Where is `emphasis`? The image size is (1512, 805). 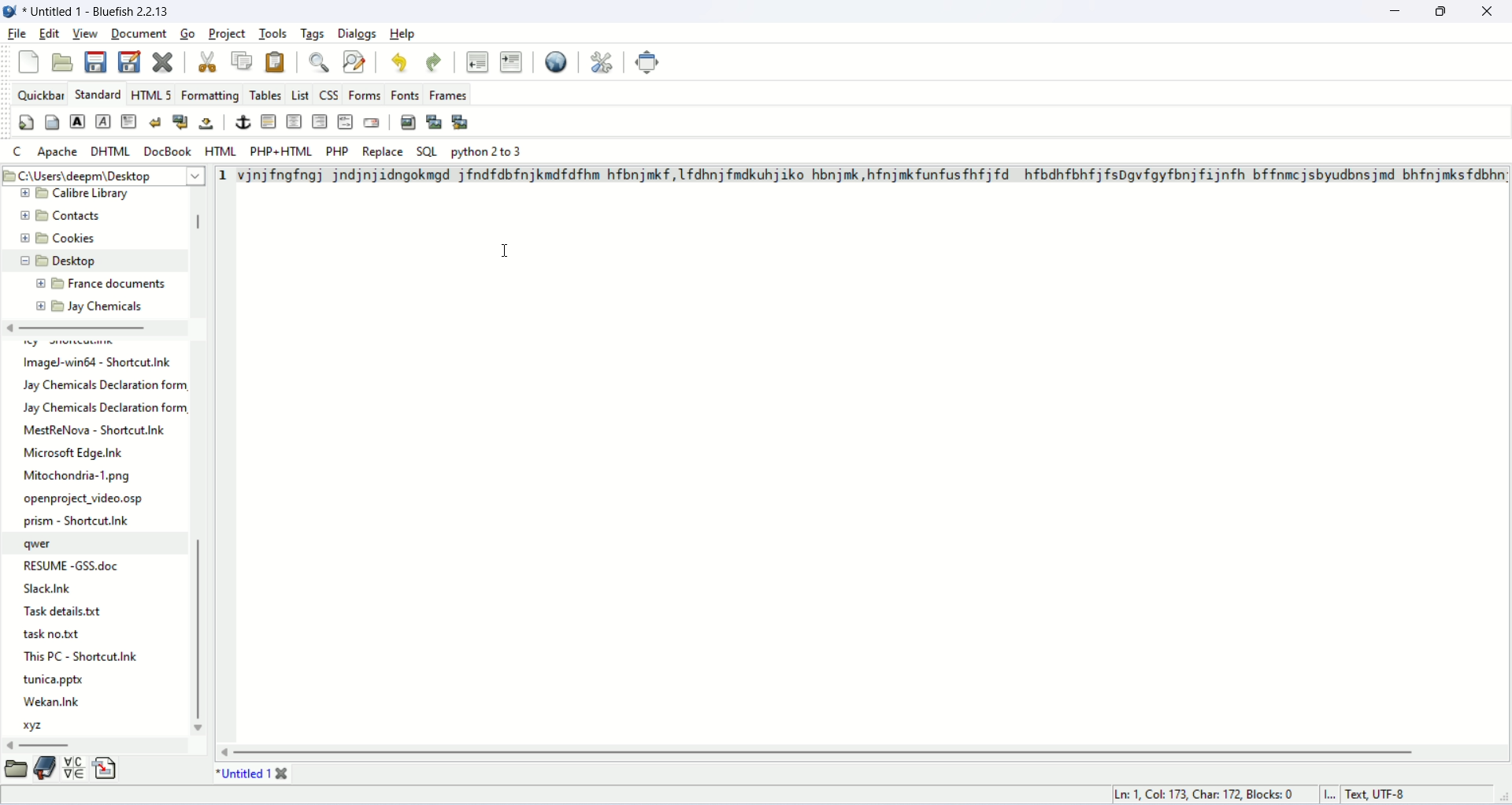
emphasis is located at coordinates (102, 122).